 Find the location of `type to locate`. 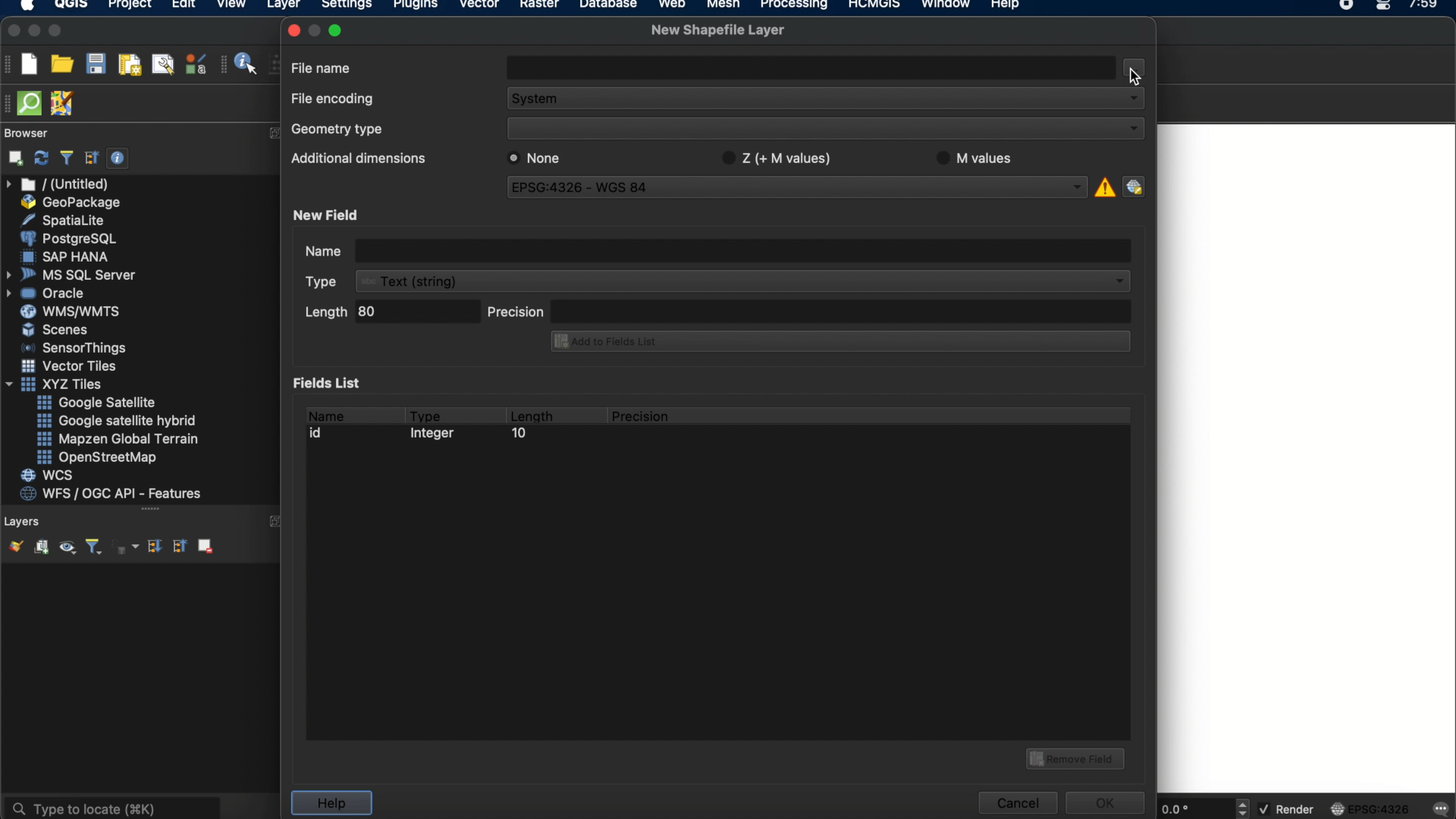

type to locate is located at coordinates (111, 807).